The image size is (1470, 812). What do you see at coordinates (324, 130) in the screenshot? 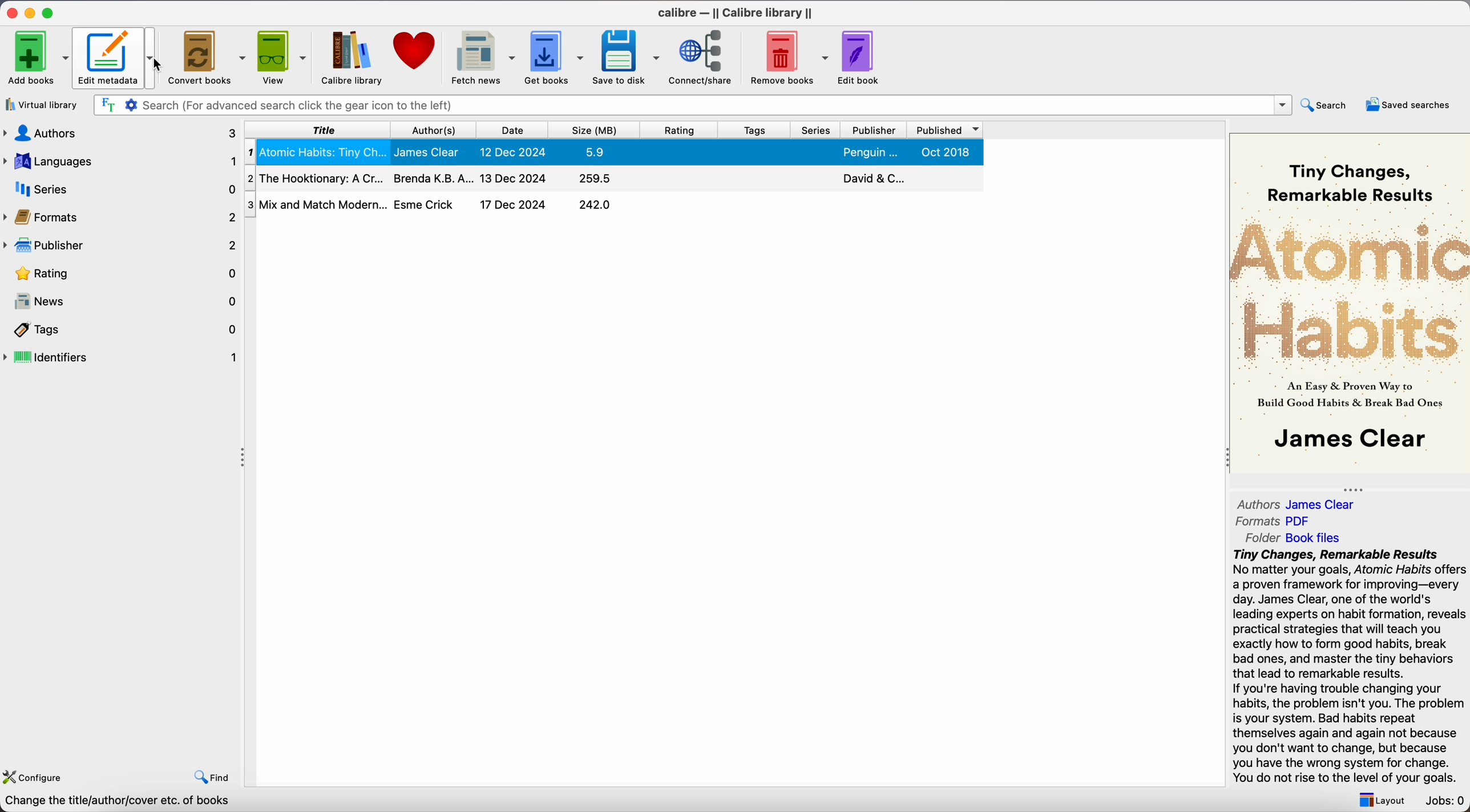
I see `title` at bounding box center [324, 130].